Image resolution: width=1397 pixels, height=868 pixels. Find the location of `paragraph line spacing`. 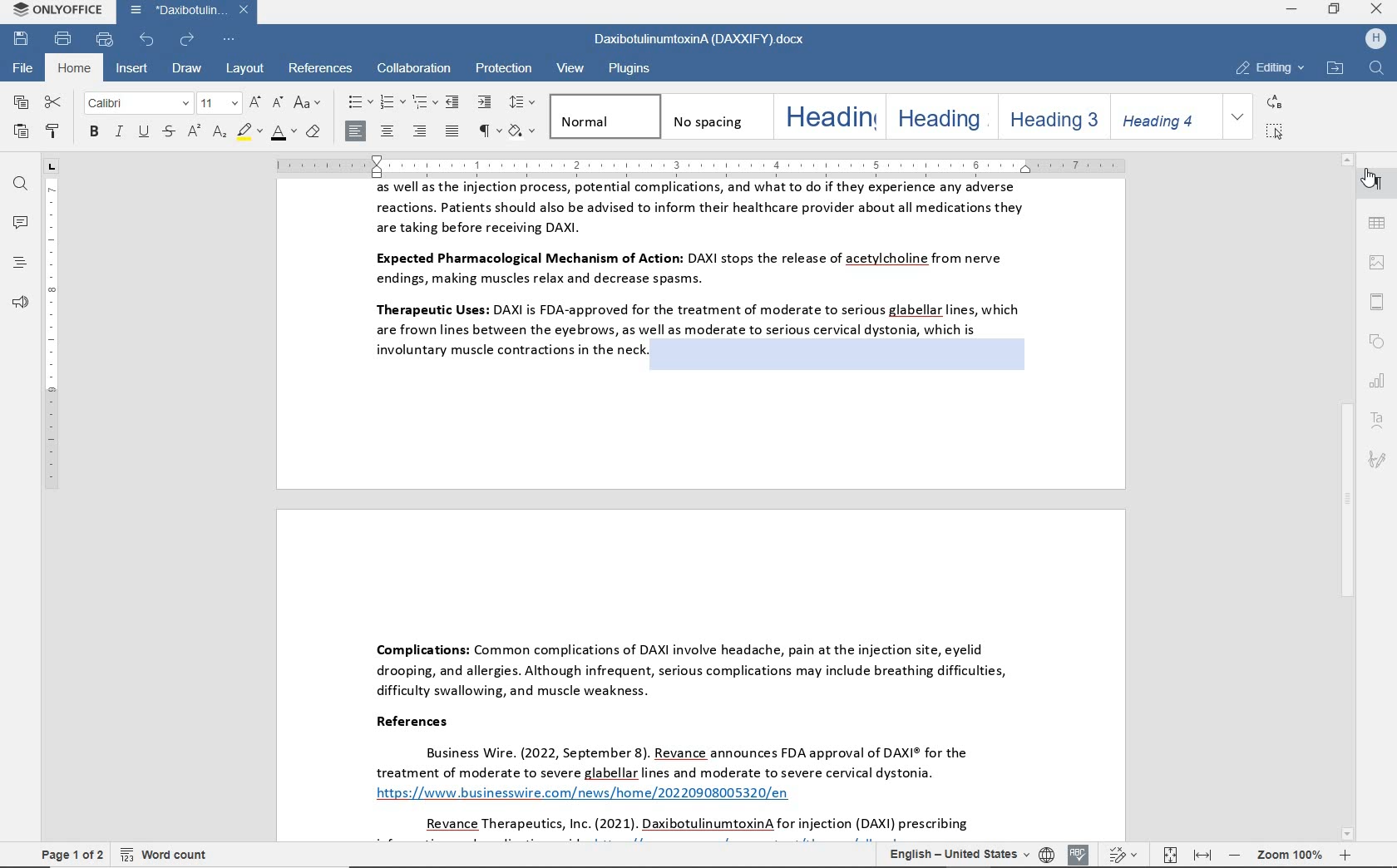

paragraph line spacing is located at coordinates (523, 102).